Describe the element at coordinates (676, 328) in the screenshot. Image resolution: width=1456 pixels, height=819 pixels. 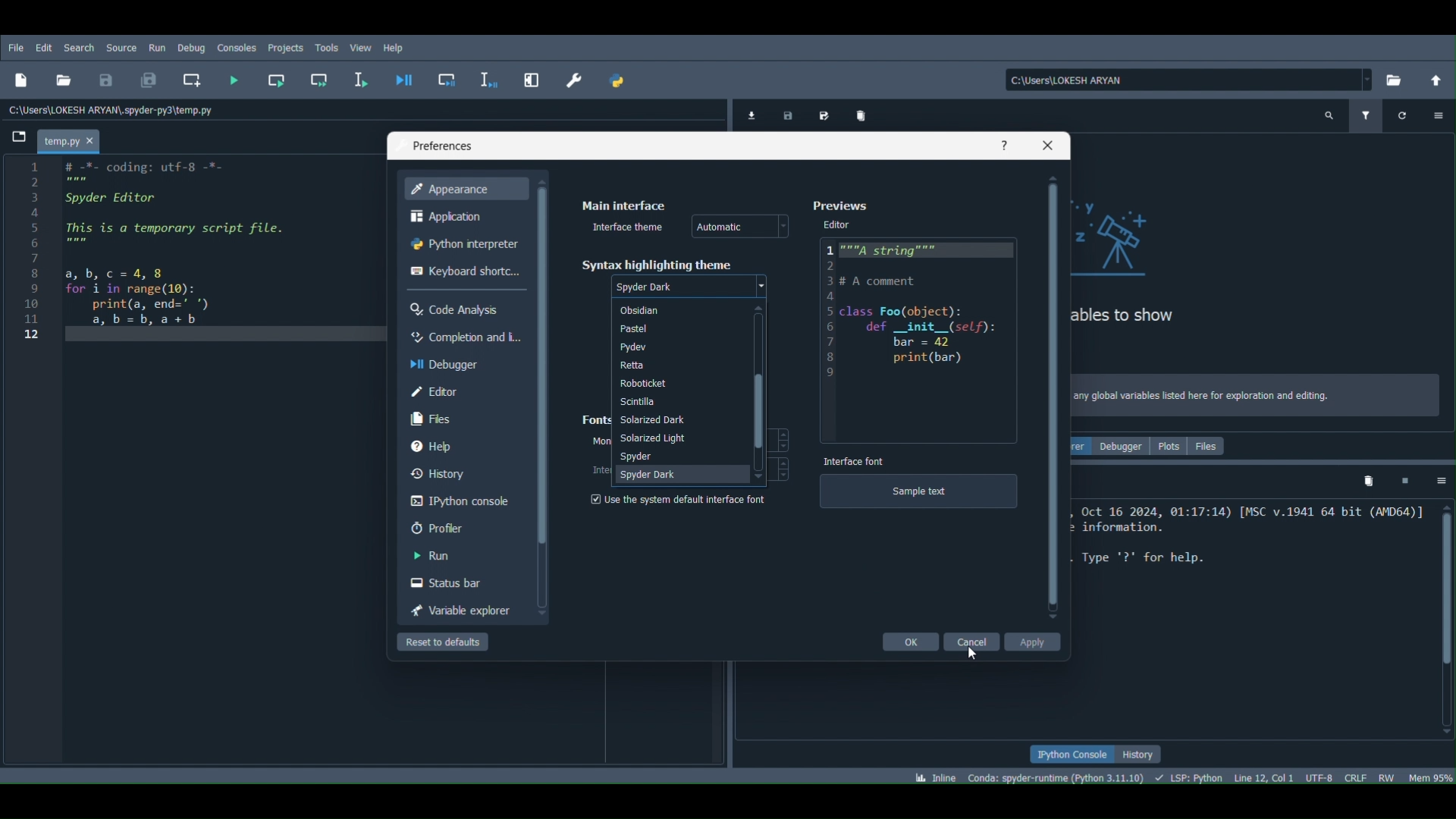
I see `Pastel` at that location.